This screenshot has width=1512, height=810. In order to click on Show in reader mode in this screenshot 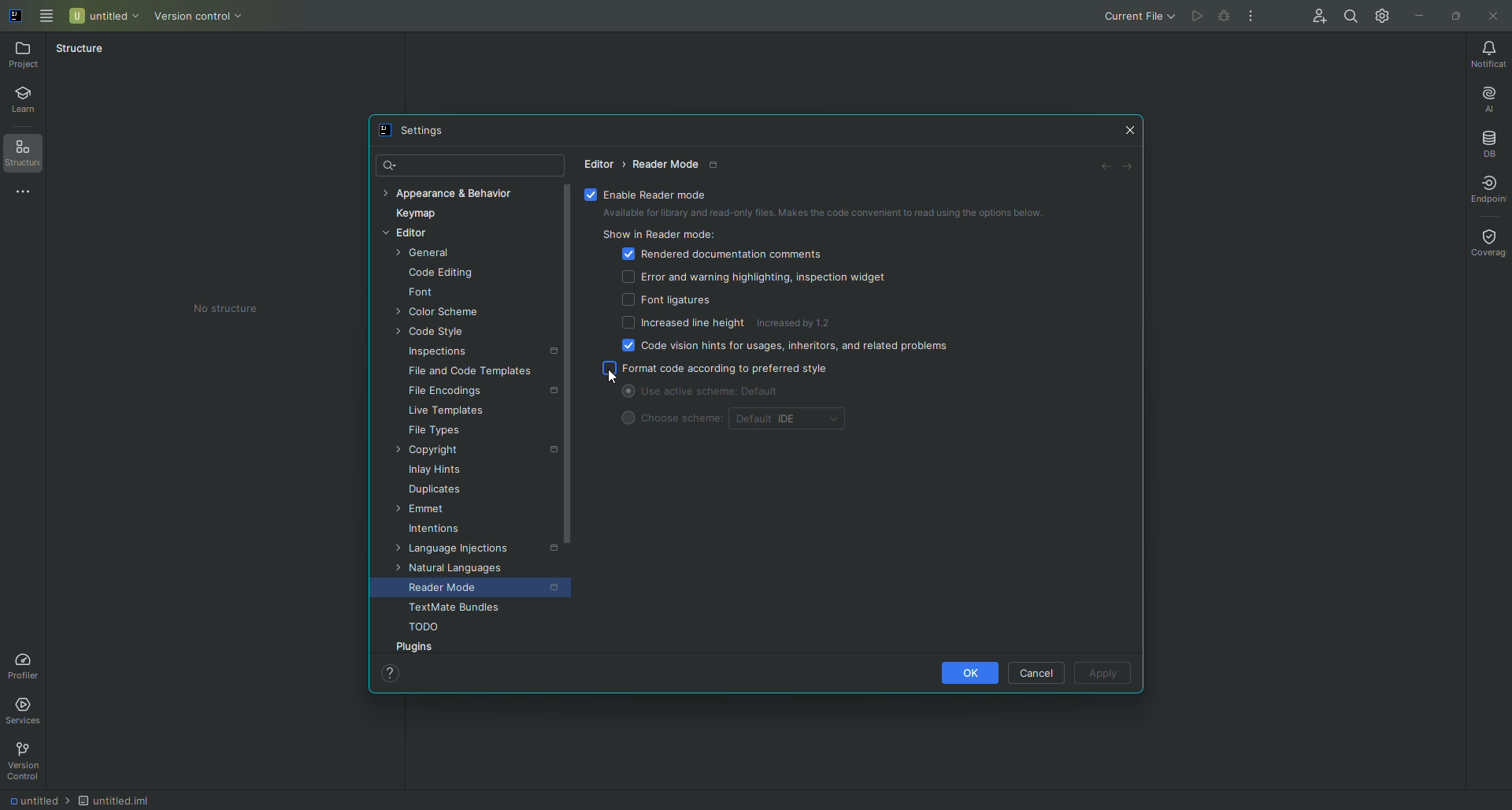, I will do `click(661, 236)`.